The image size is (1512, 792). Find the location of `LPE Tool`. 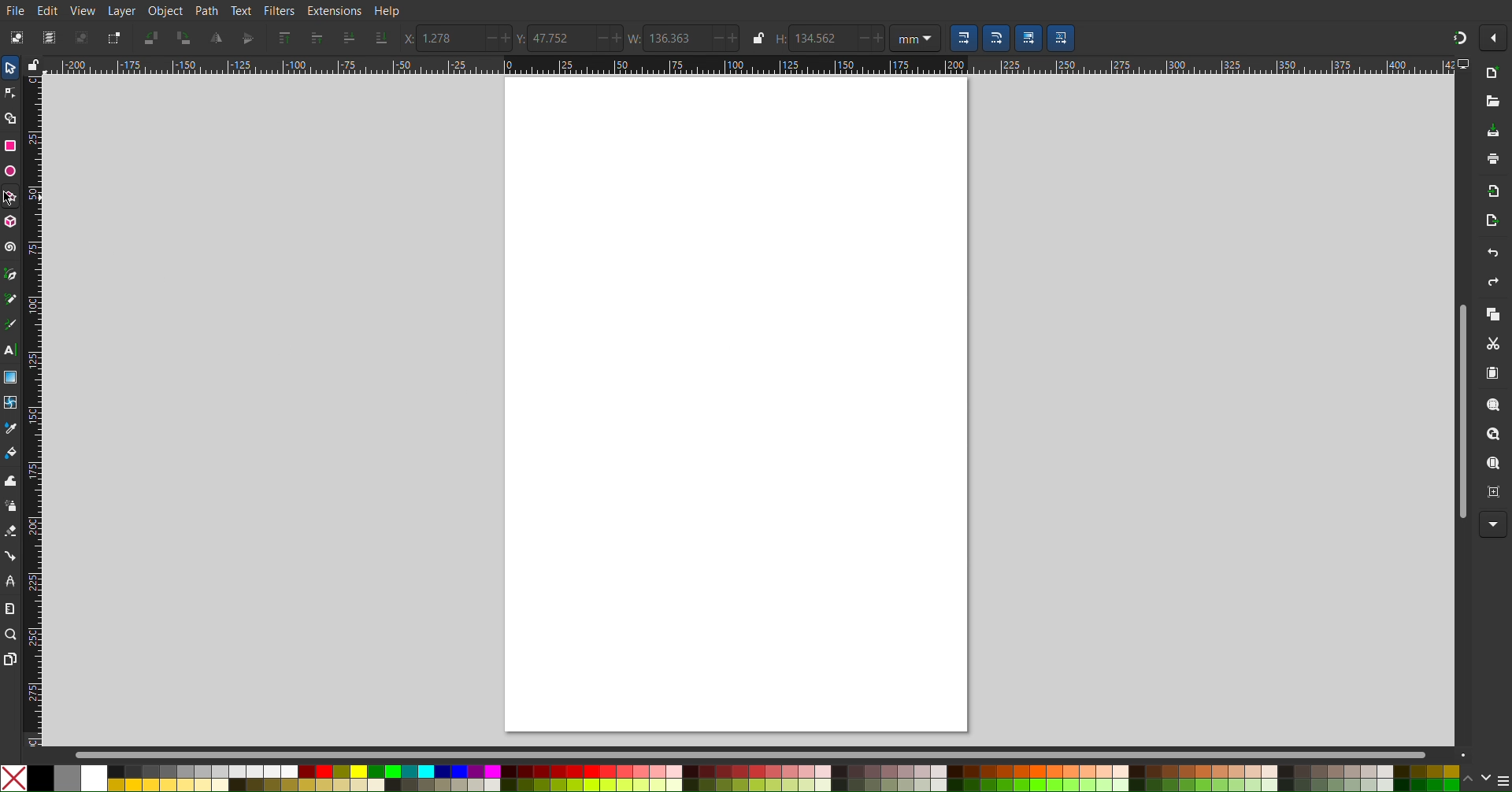

LPE Tool is located at coordinates (10, 580).